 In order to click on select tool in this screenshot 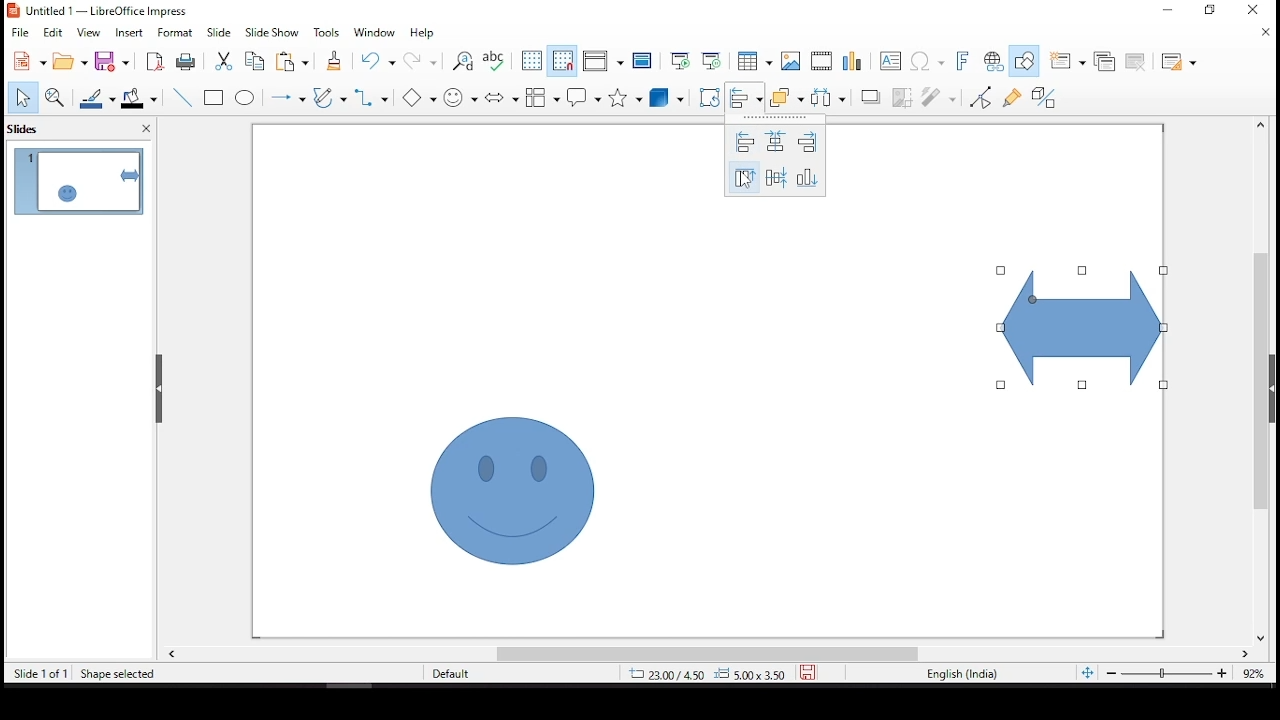, I will do `click(22, 99)`.